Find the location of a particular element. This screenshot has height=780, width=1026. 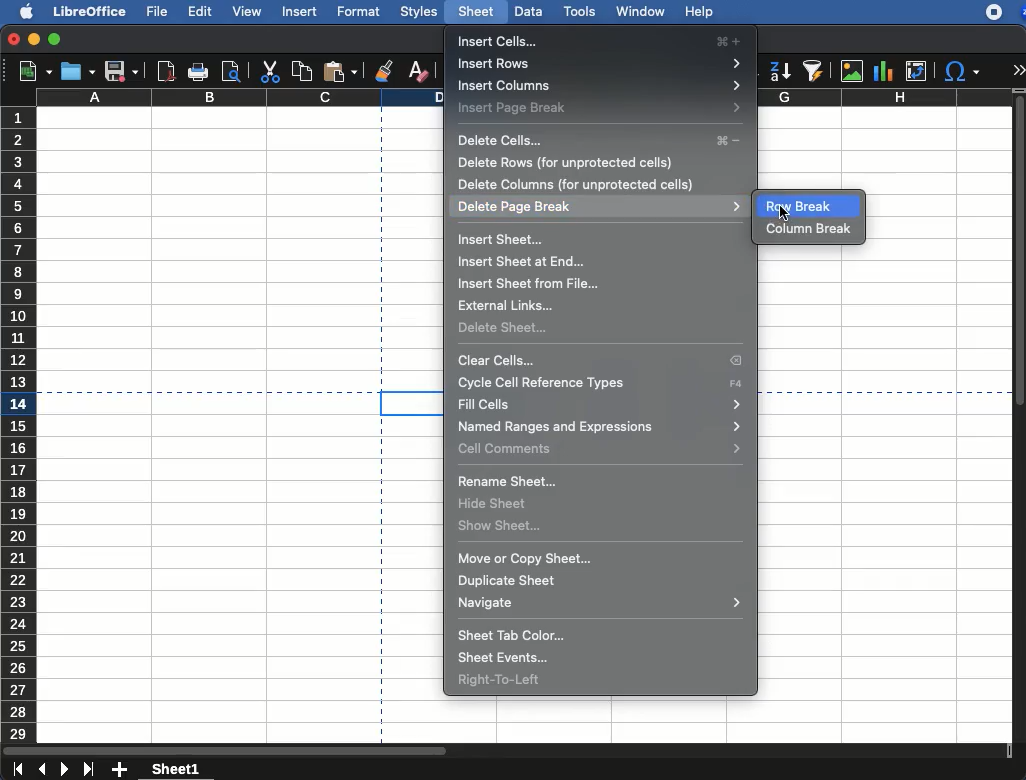

insert page break is located at coordinates (600, 109).